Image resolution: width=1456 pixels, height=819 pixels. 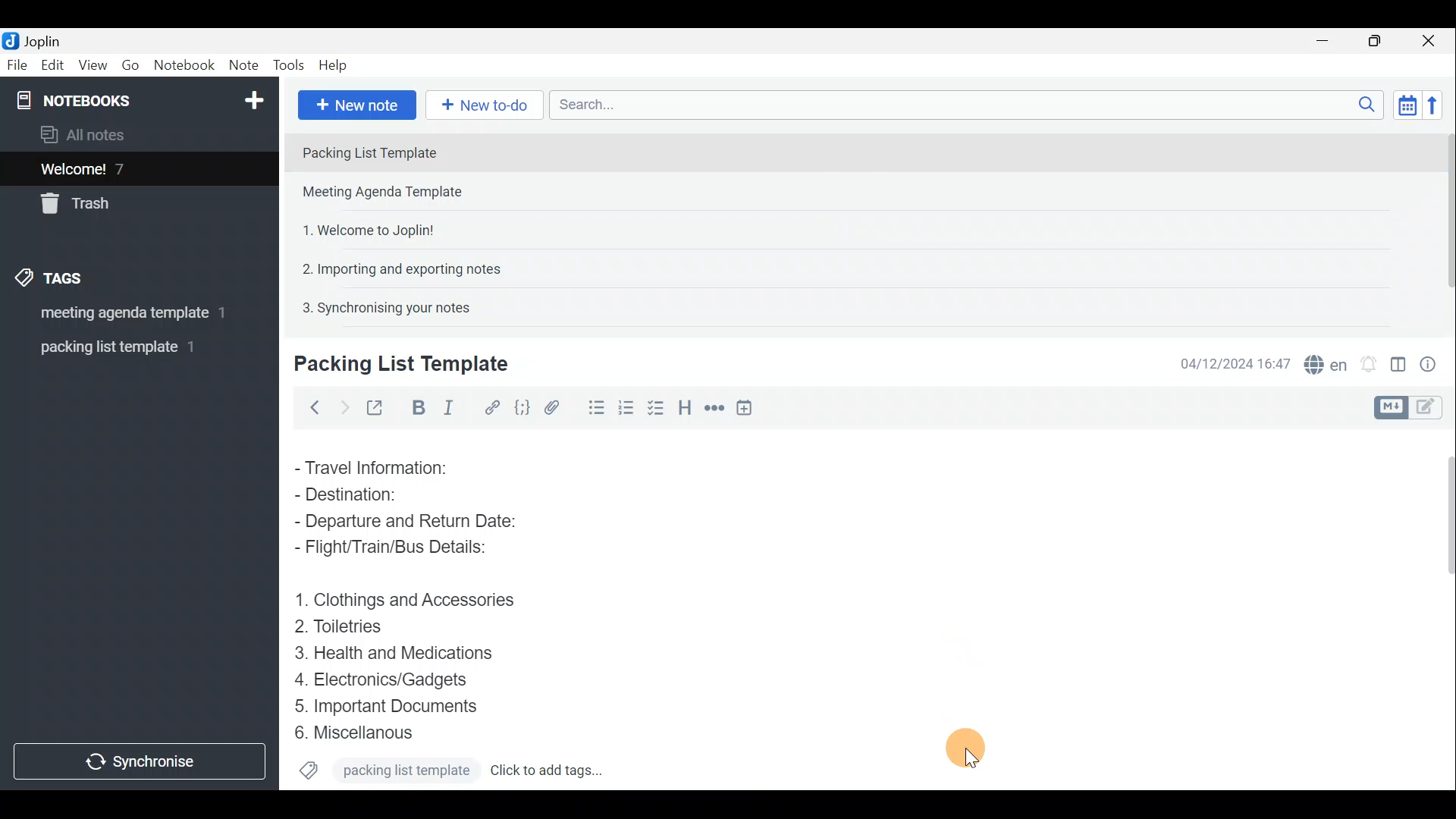 I want to click on Toggle external editing, so click(x=376, y=406).